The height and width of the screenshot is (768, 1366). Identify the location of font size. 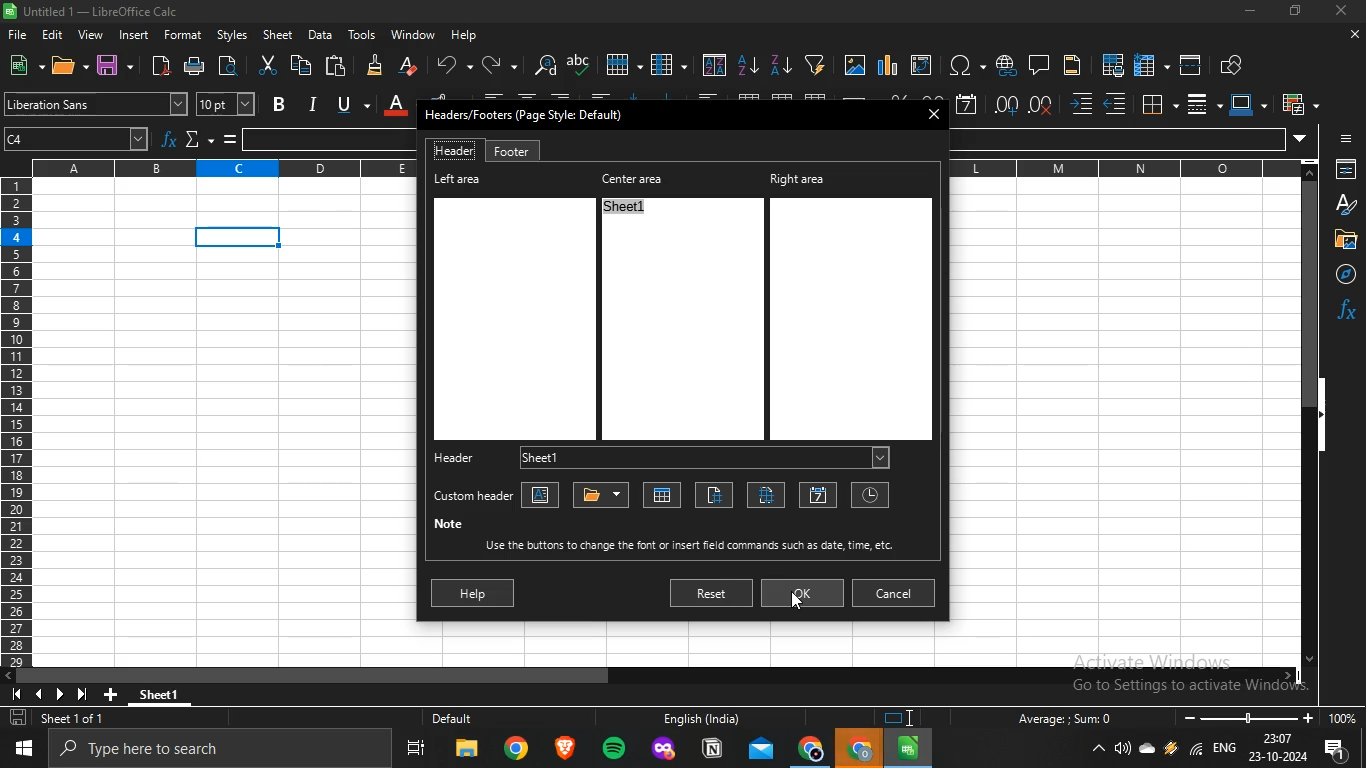
(224, 103).